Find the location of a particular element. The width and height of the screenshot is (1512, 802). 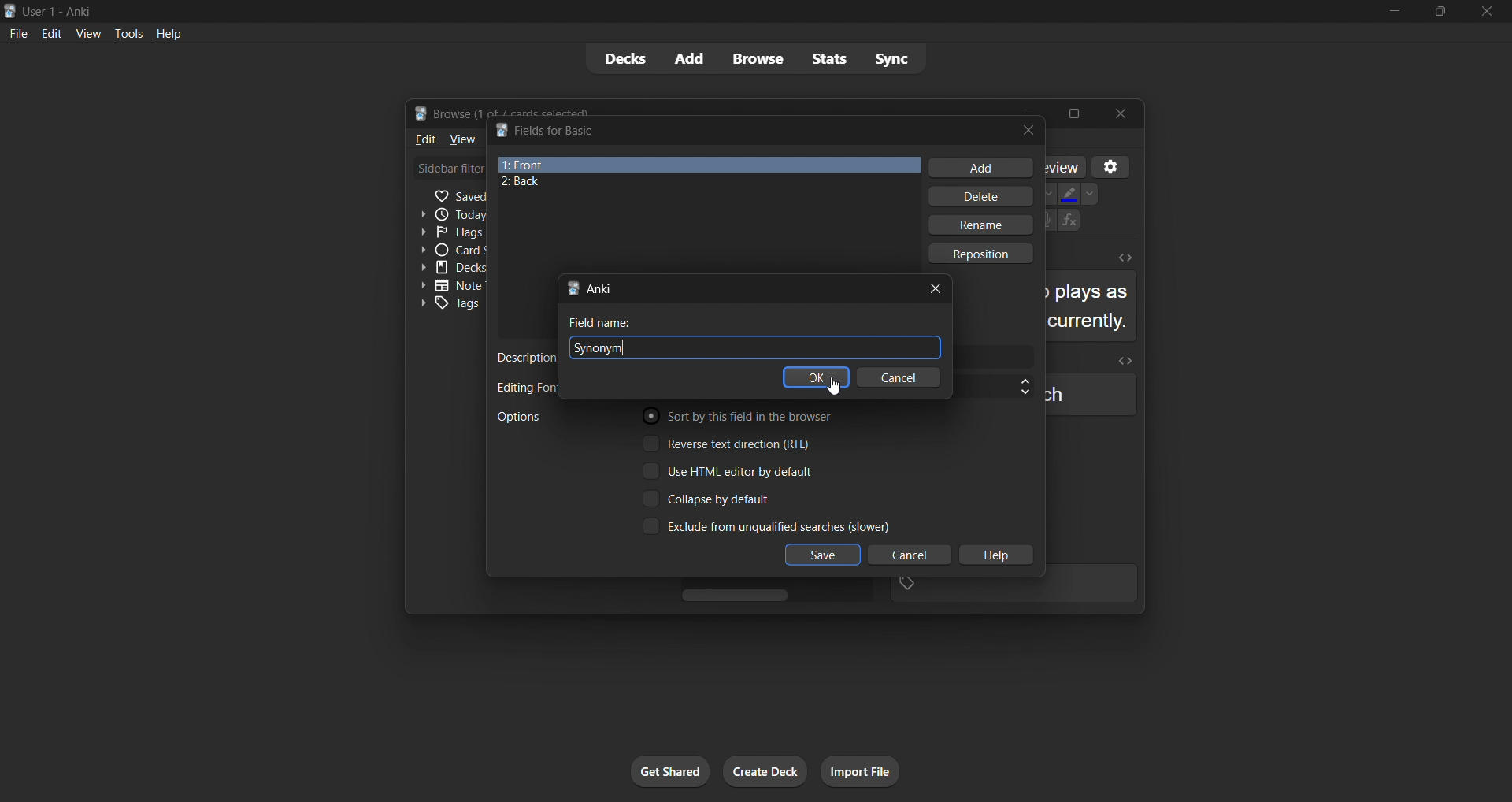

Use HTML editor by default is located at coordinates (738, 471).